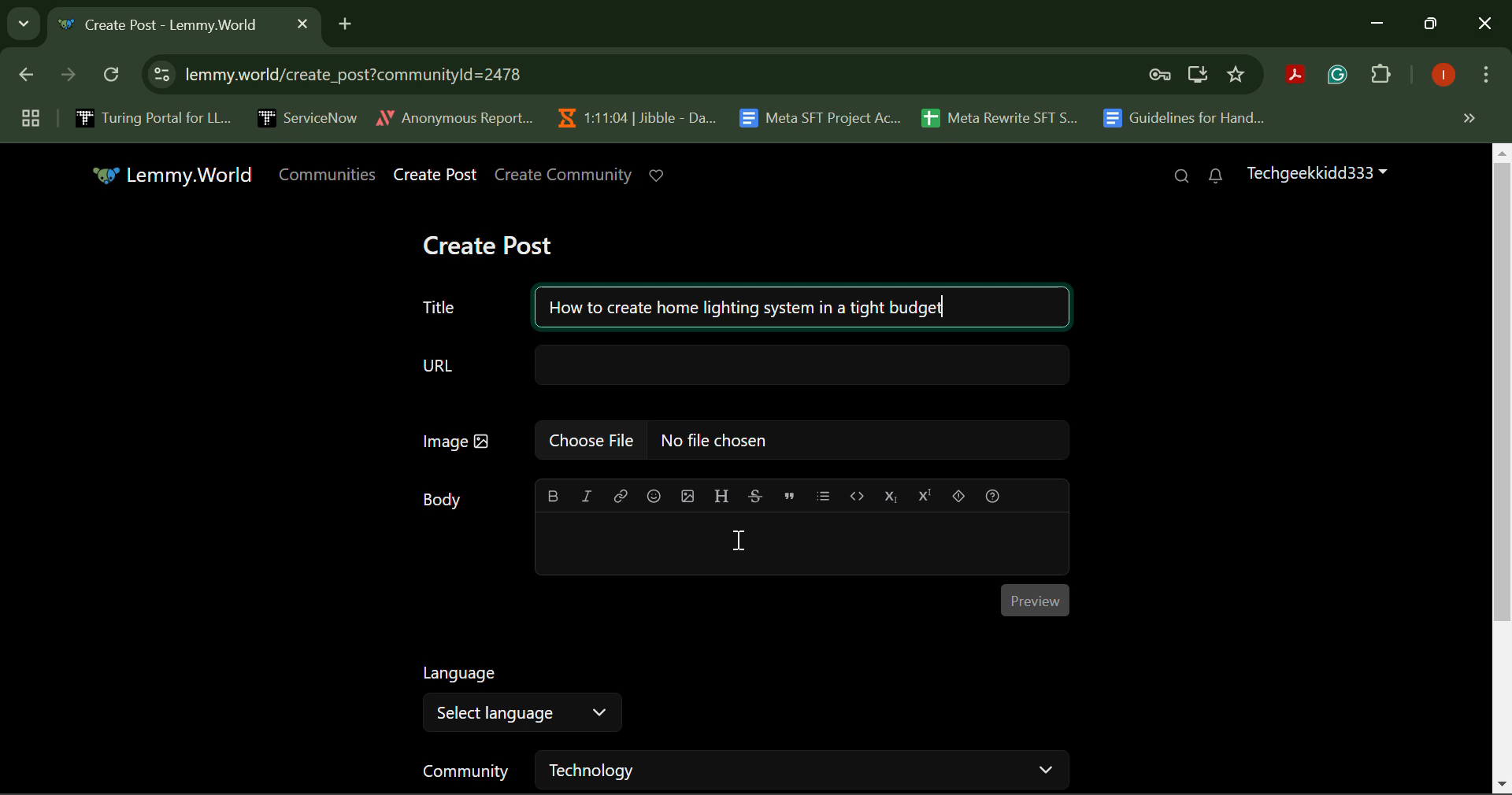 This screenshot has width=1512, height=795. I want to click on superscript, so click(922, 494).